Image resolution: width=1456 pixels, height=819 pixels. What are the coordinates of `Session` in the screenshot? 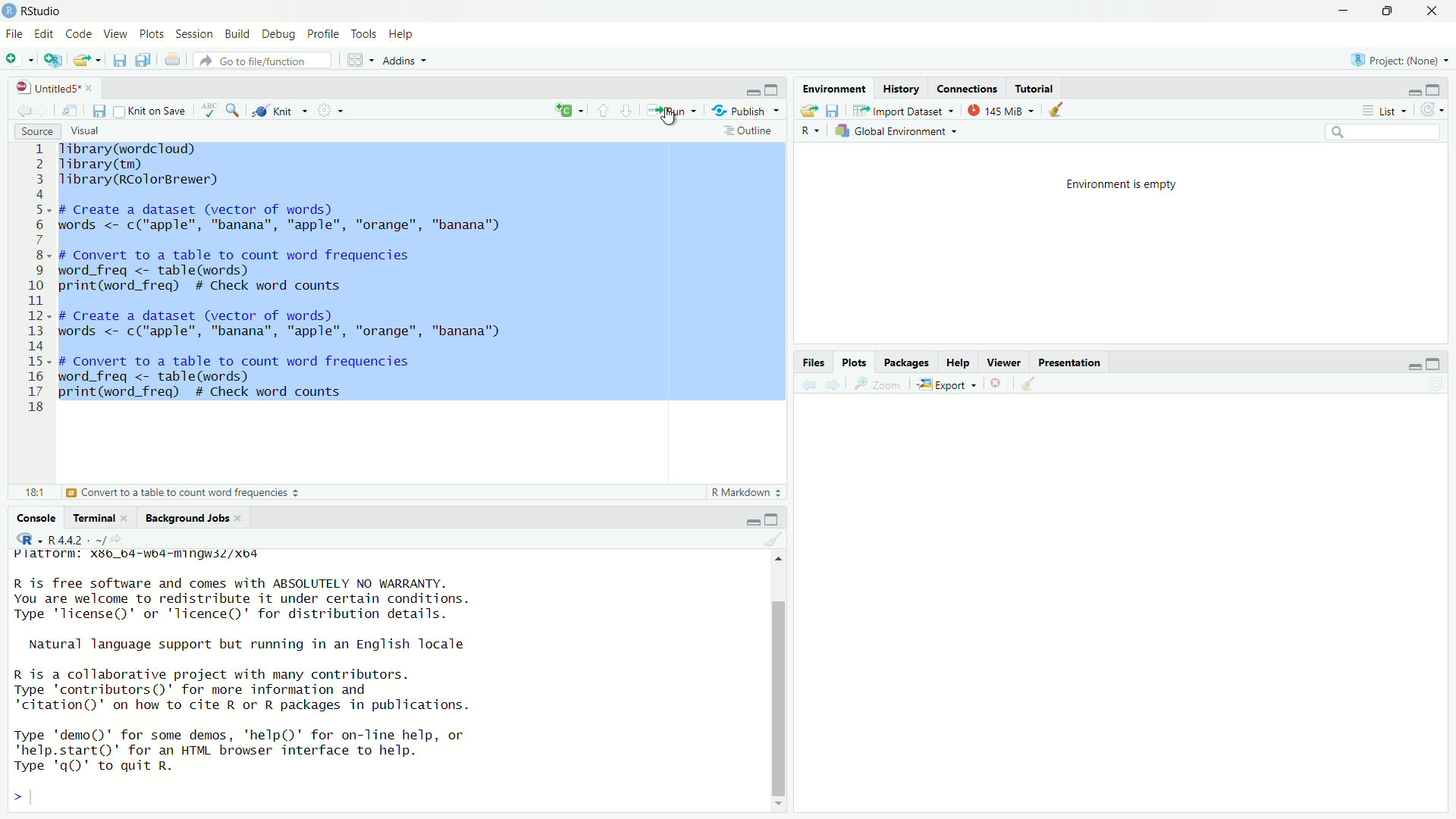 It's located at (196, 36).